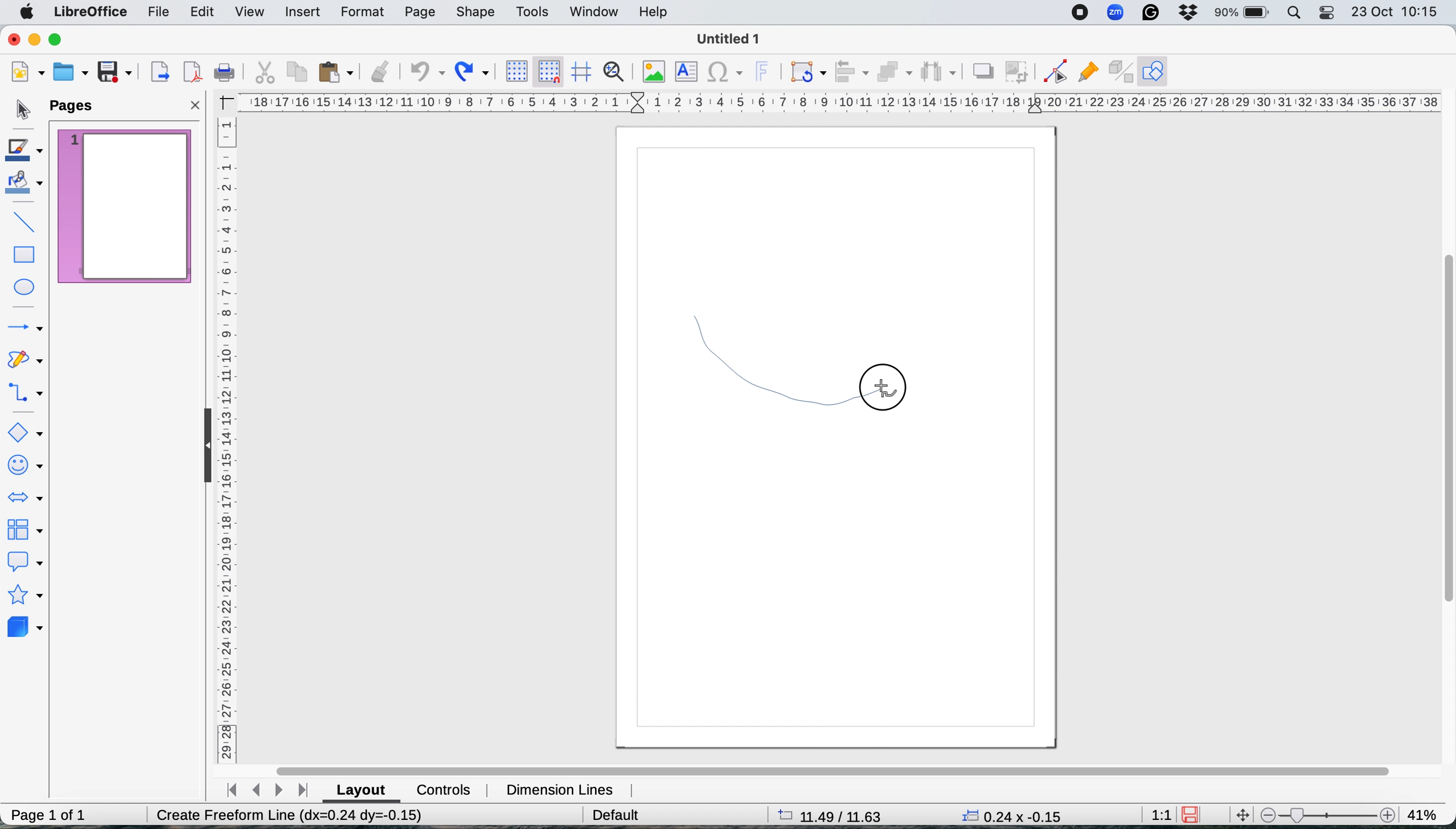  Describe the element at coordinates (251, 11) in the screenshot. I see `view` at that location.